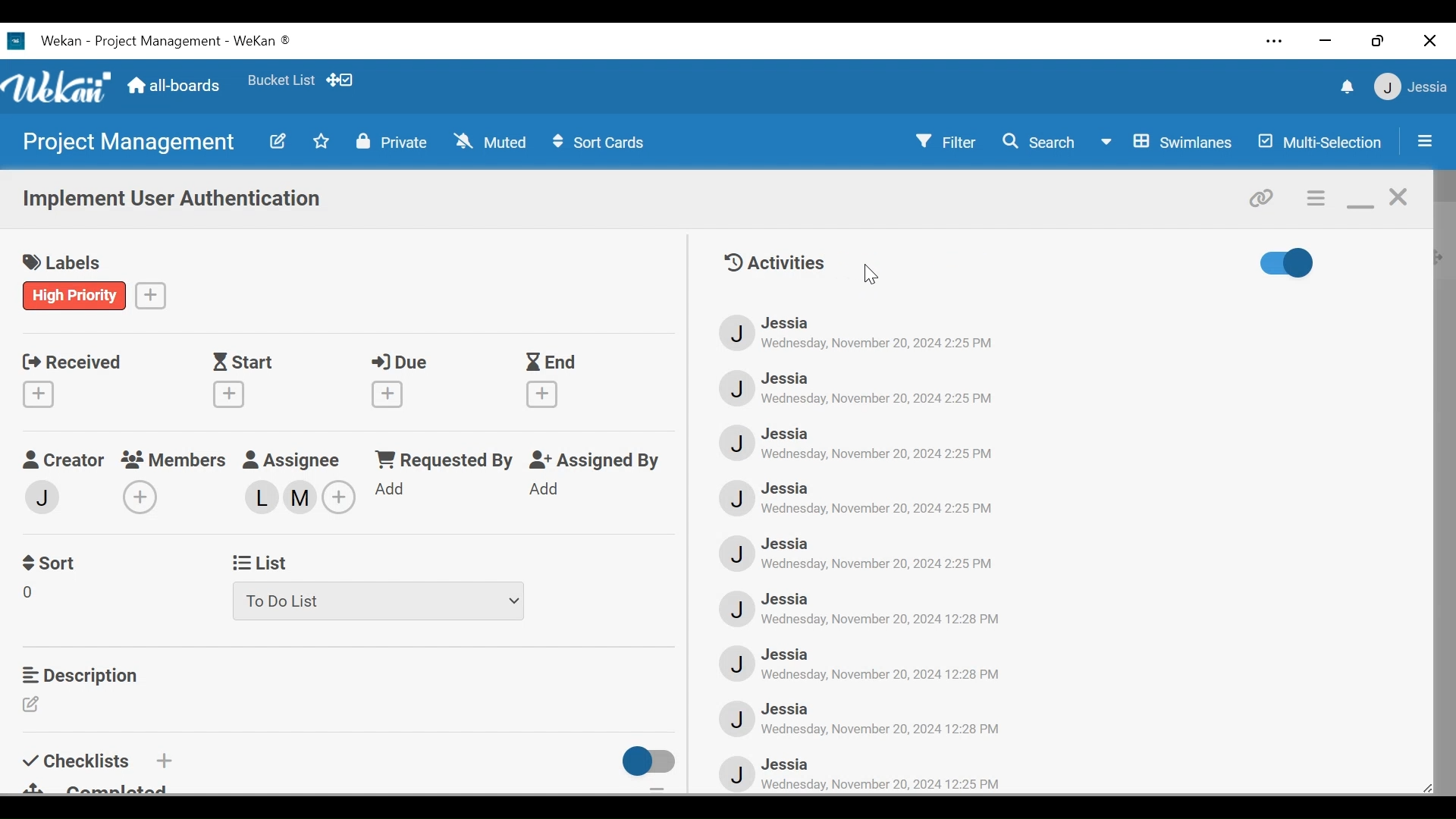 This screenshot has width=1456, height=819. What do you see at coordinates (789, 764) in the screenshot?
I see `Member Name` at bounding box center [789, 764].